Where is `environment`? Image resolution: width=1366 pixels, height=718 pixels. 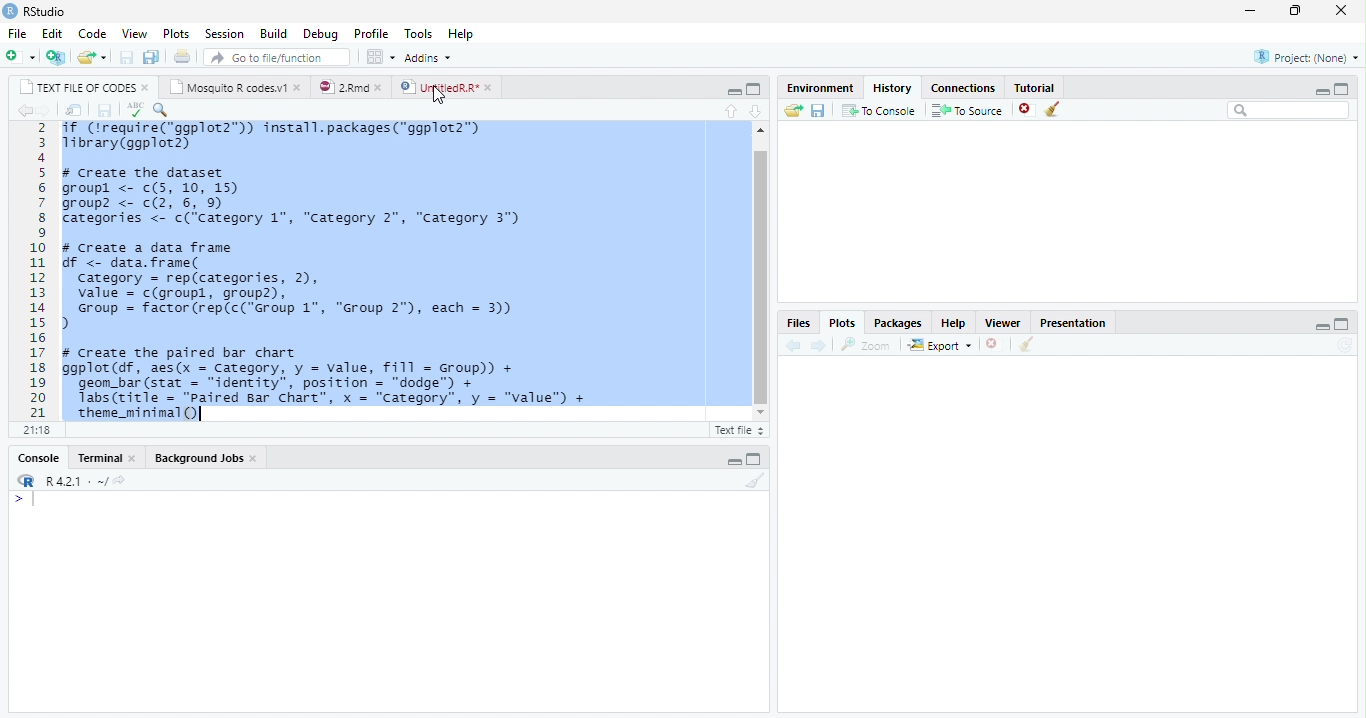 environment is located at coordinates (816, 88).